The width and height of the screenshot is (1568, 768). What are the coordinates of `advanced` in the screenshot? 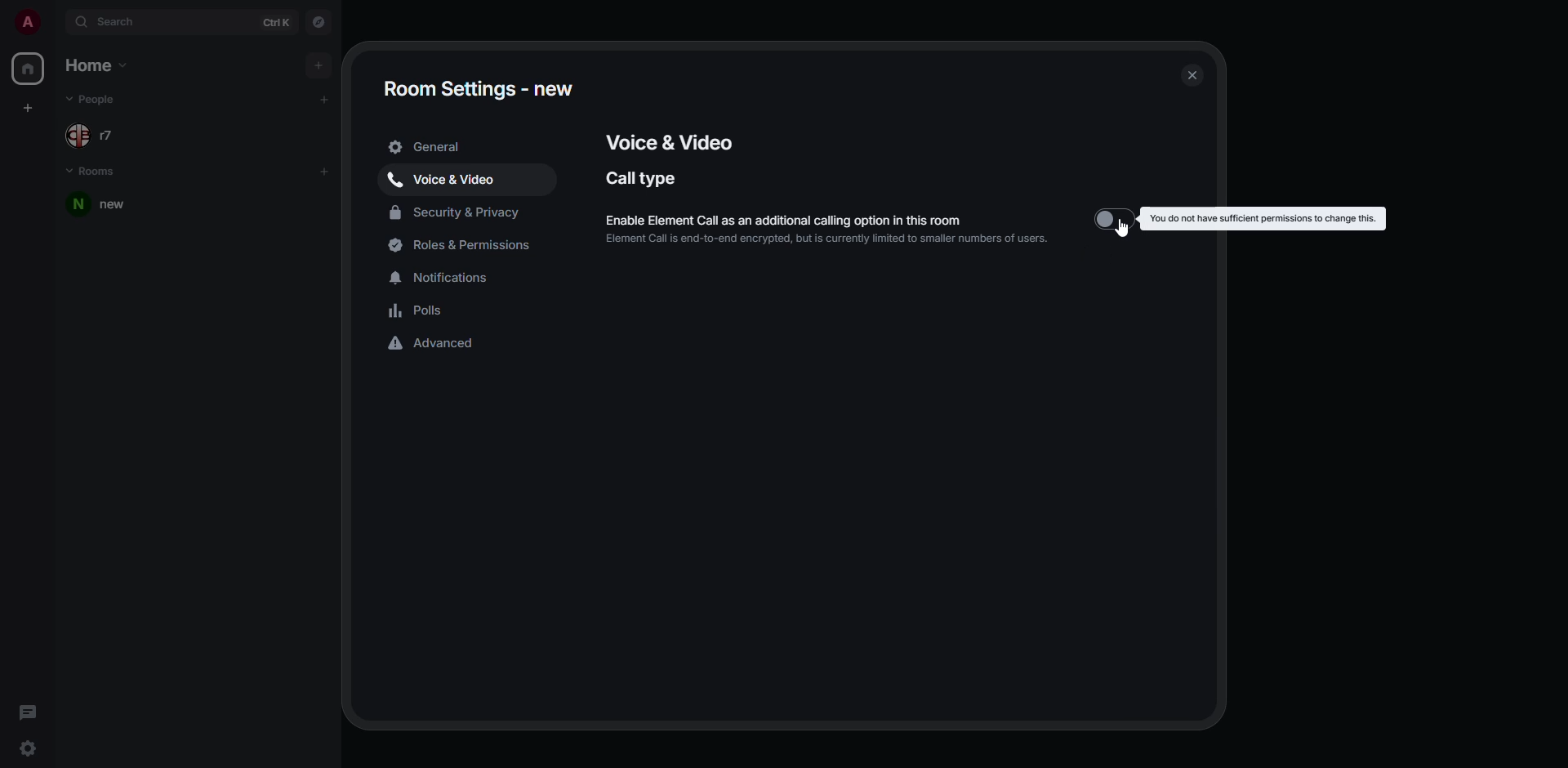 It's located at (436, 345).